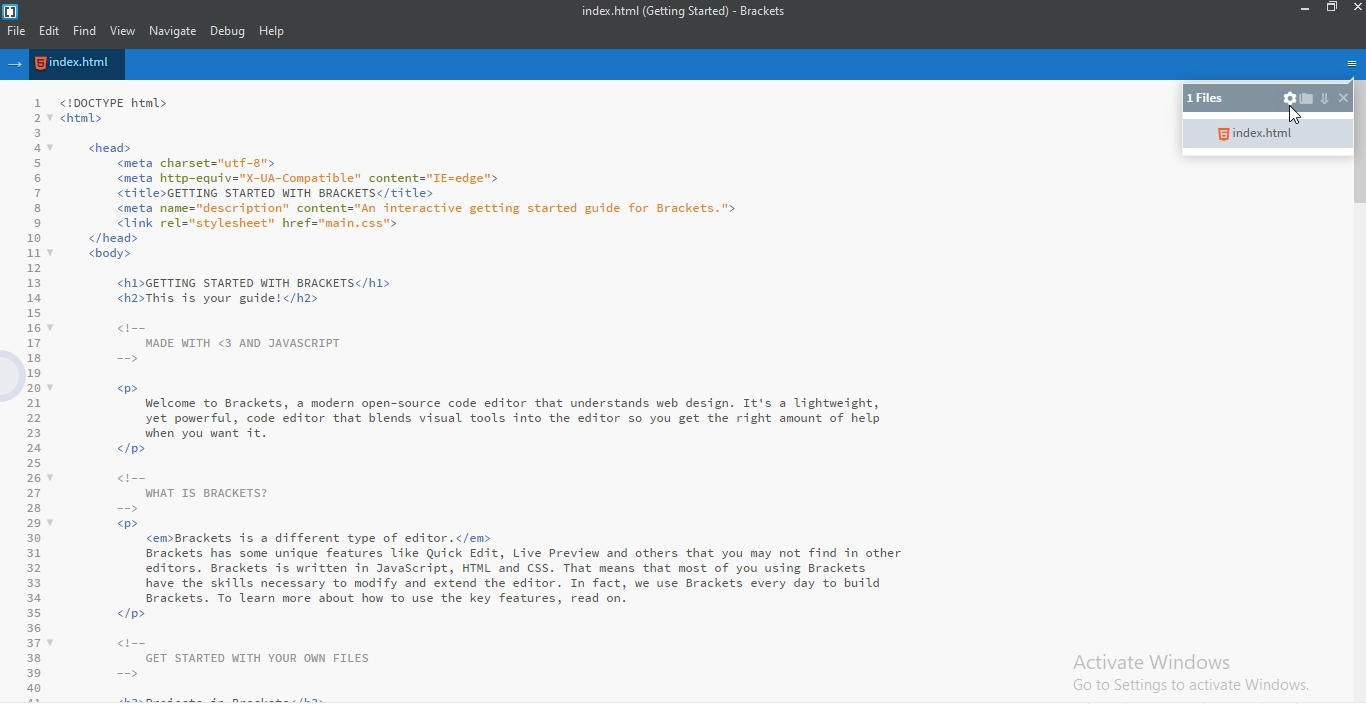 Image resolution: width=1366 pixels, height=704 pixels. What do you see at coordinates (1357, 7) in the screenshot?
I see `close` at bounding box center [1357, 7].